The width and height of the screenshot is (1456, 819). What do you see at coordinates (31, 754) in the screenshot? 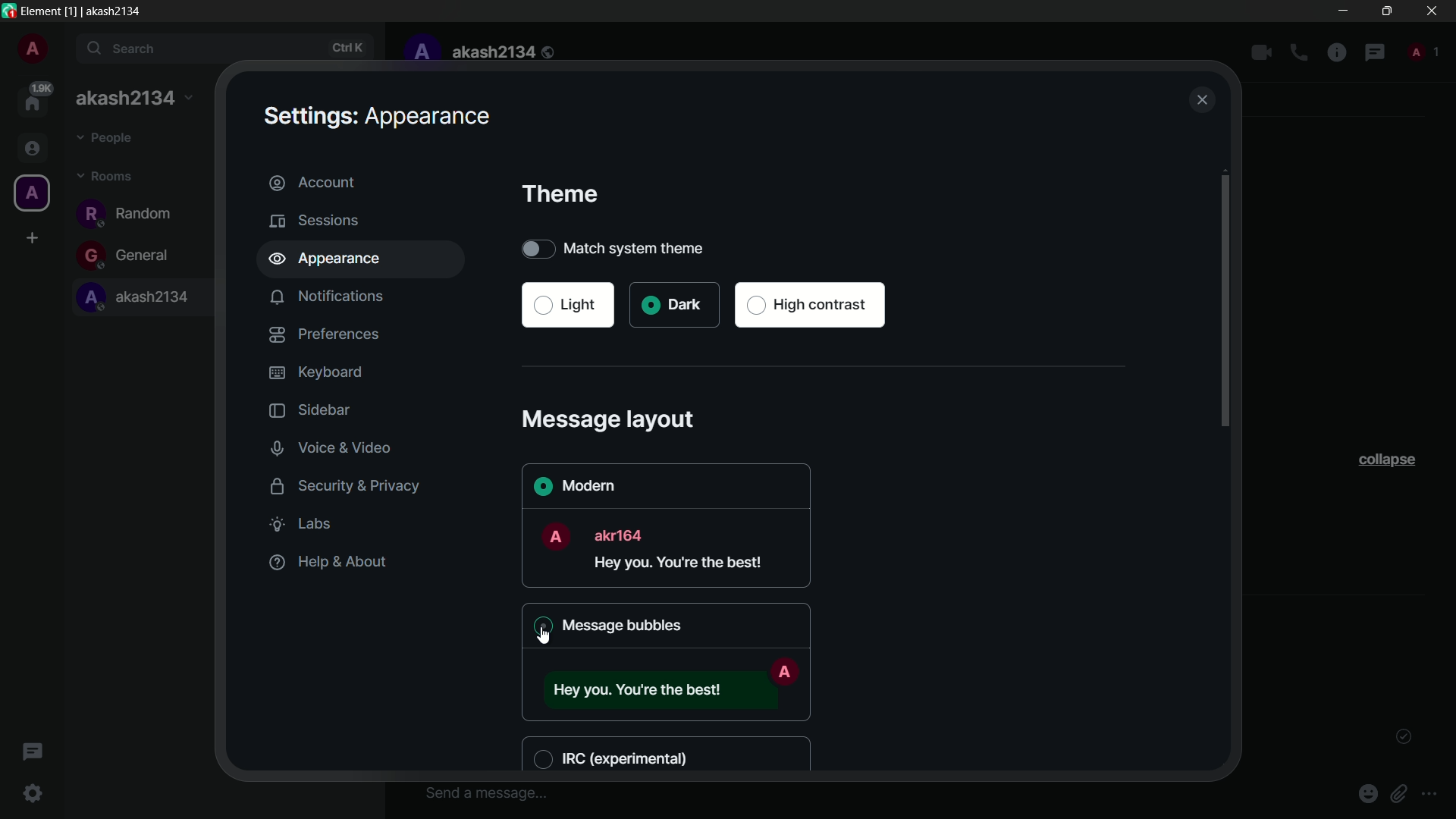
I see `threads` at bounding box center [31, 754].